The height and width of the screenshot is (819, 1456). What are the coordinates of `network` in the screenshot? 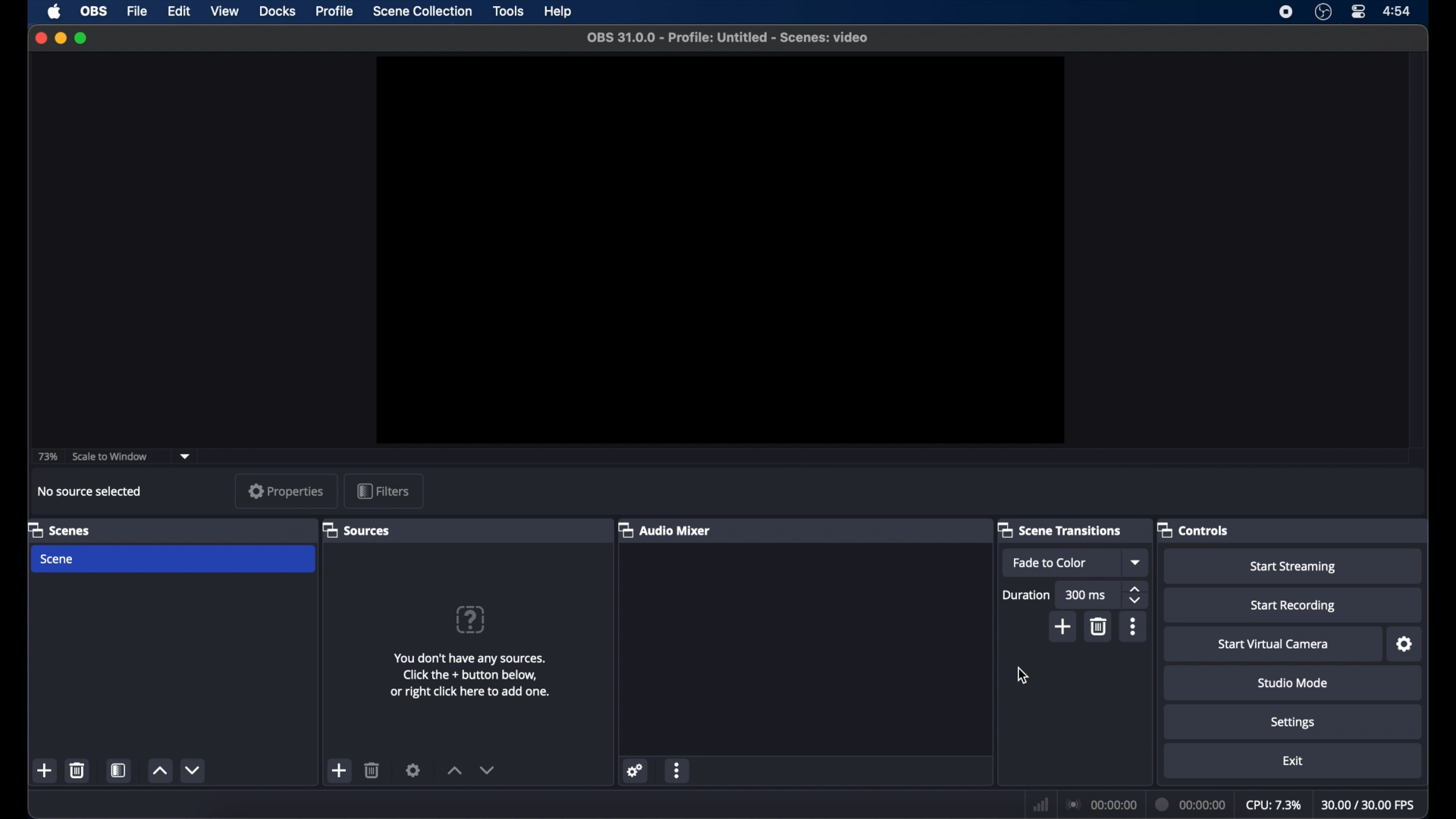 It's located at (1040, 803).